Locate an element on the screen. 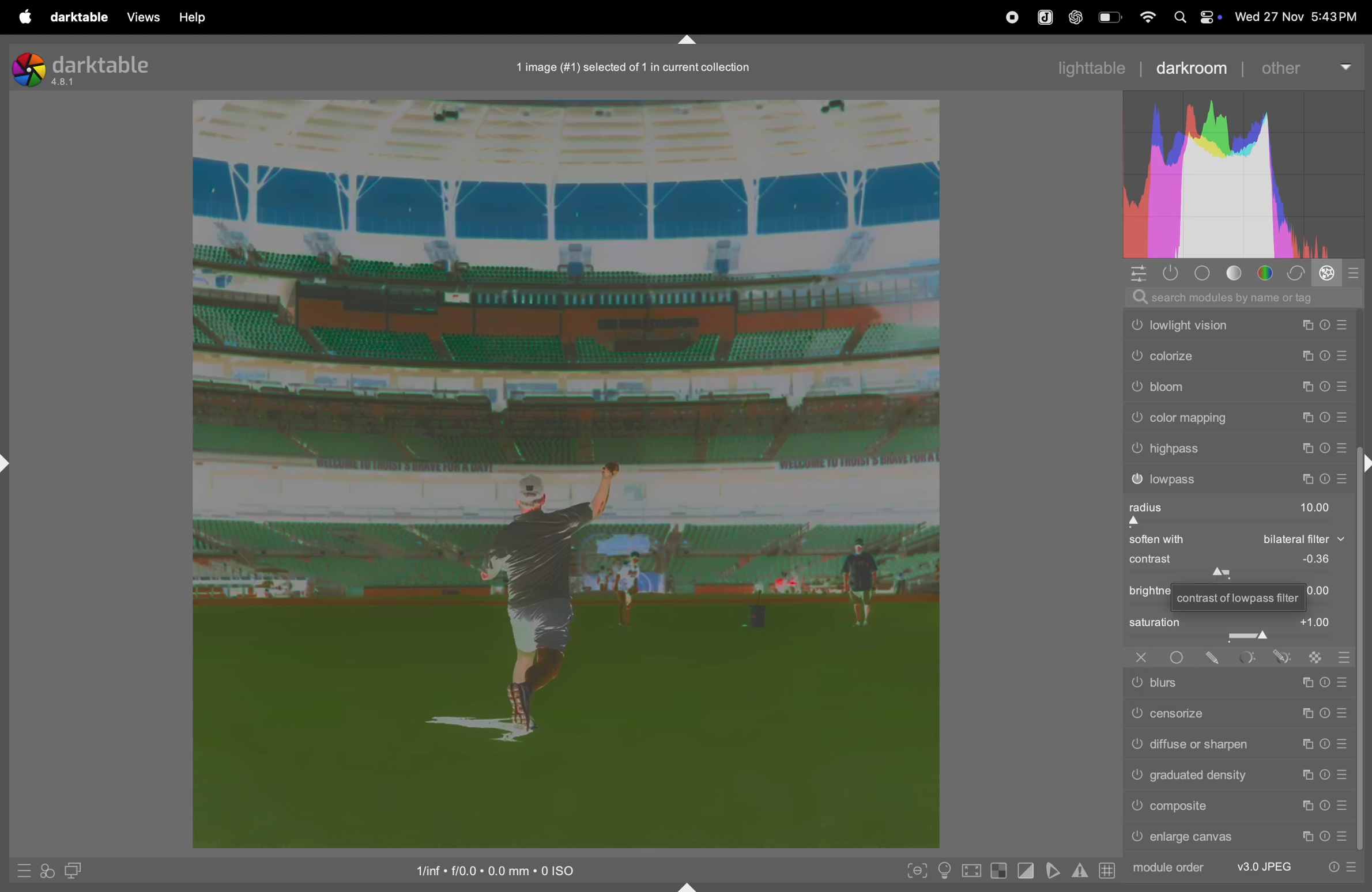 The image size is (1372, 892). Apple menu is located at coordinates (24, 17).